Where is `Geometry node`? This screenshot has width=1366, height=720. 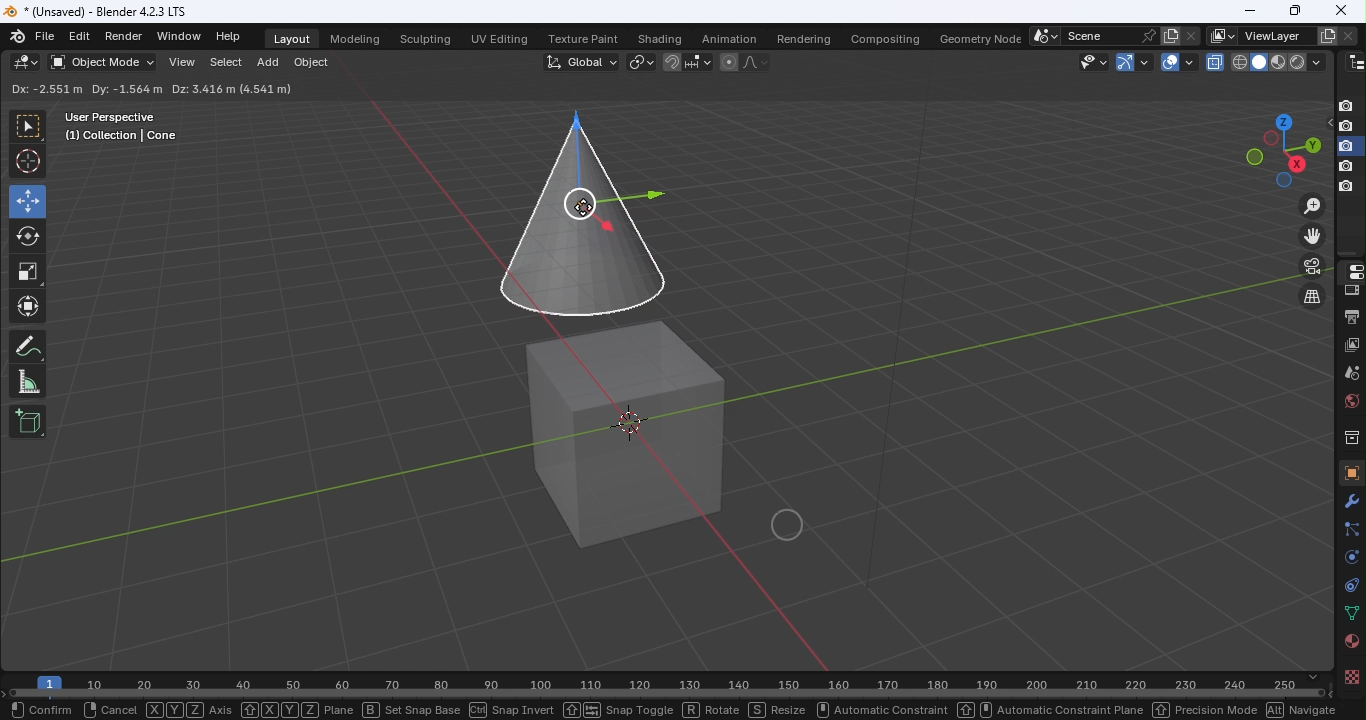 Geometry node is located at coordinates (982, 36).